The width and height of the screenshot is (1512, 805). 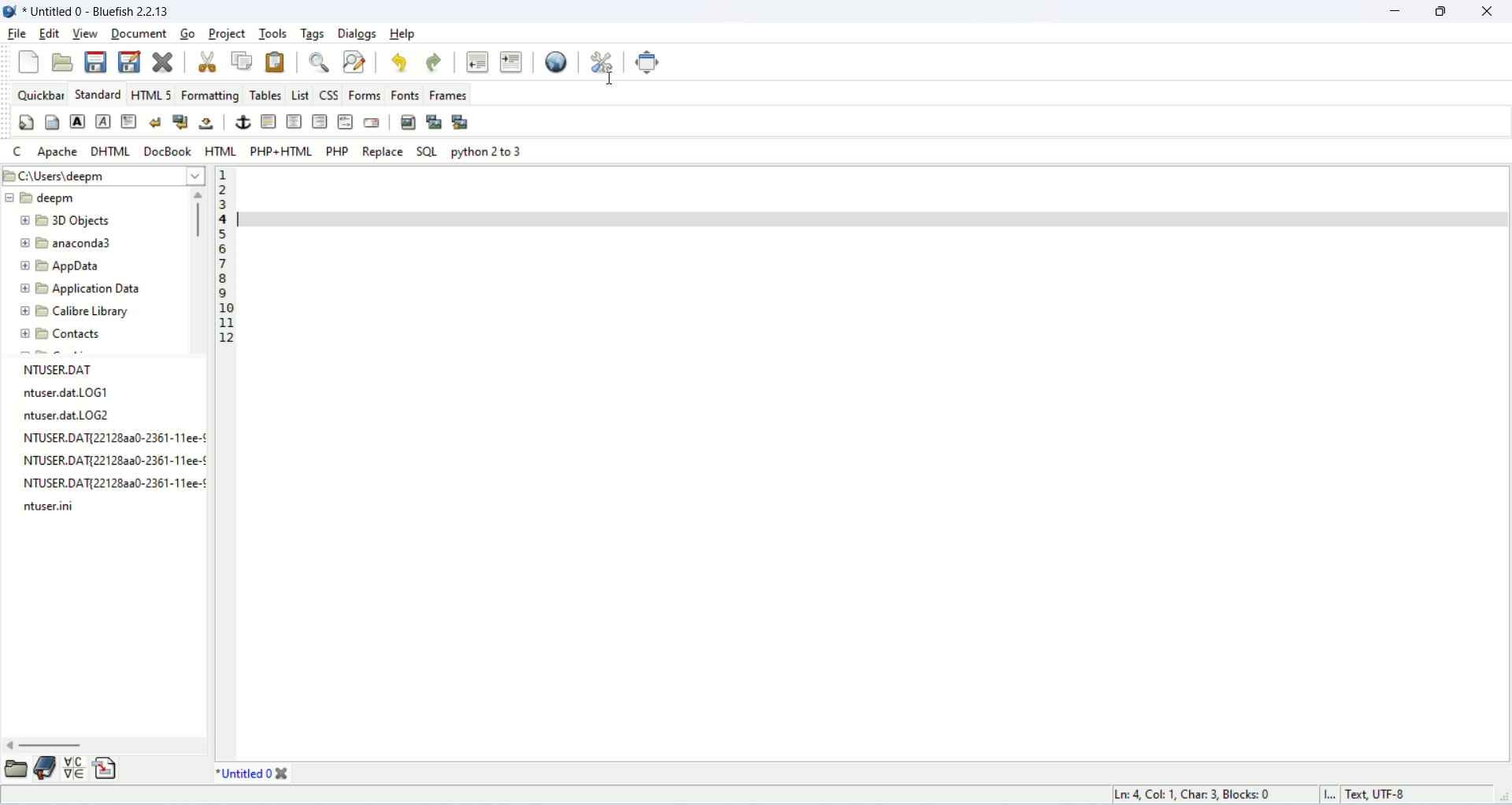 What do you see at coordinates (1332, 796) in the screenshot?
I see `I` at bounding box center [1332, 796].